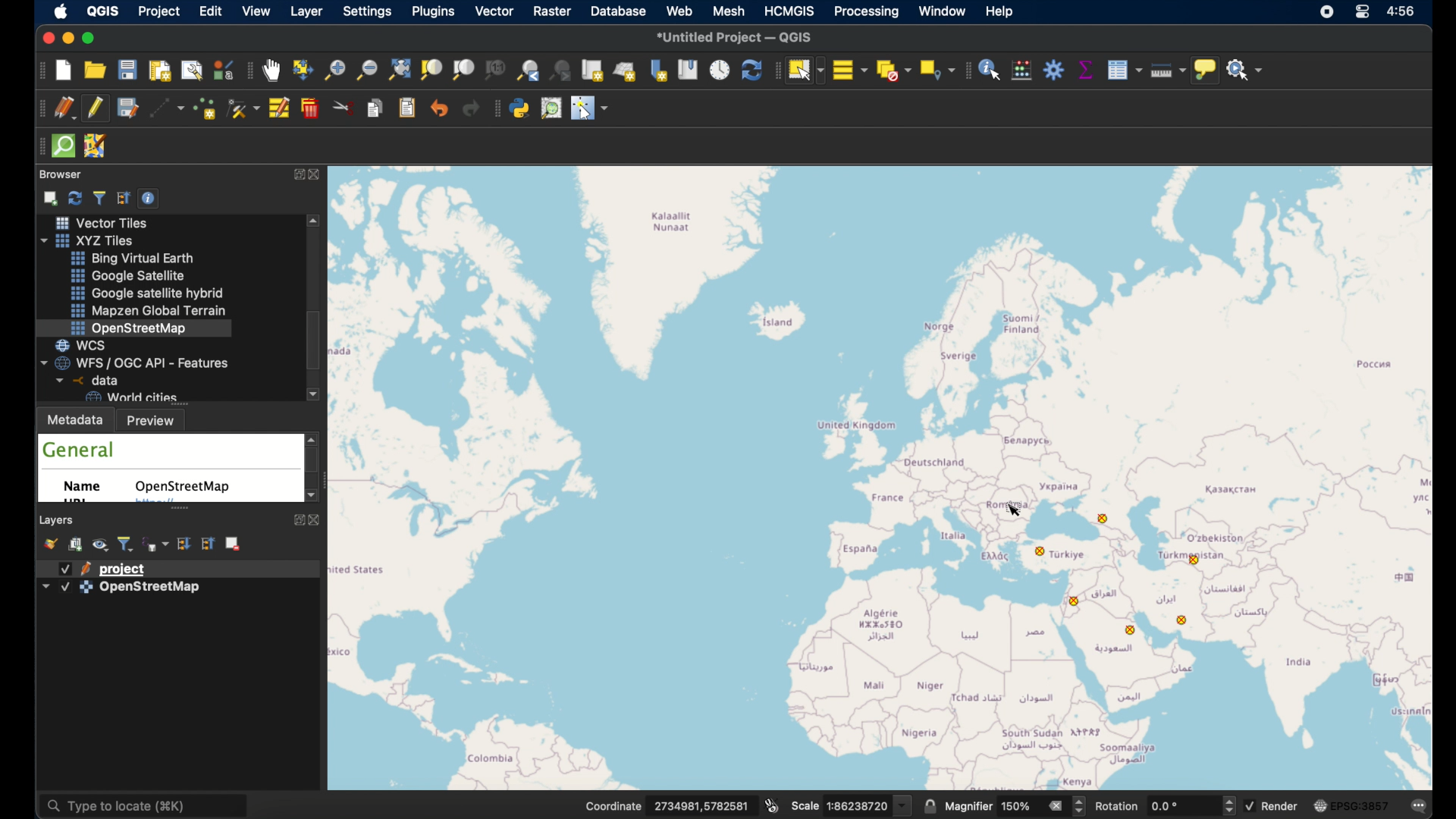 This screenshot has height=819, width=1456. I want to click on Increase or decrease rotation, so click(1228, 805).